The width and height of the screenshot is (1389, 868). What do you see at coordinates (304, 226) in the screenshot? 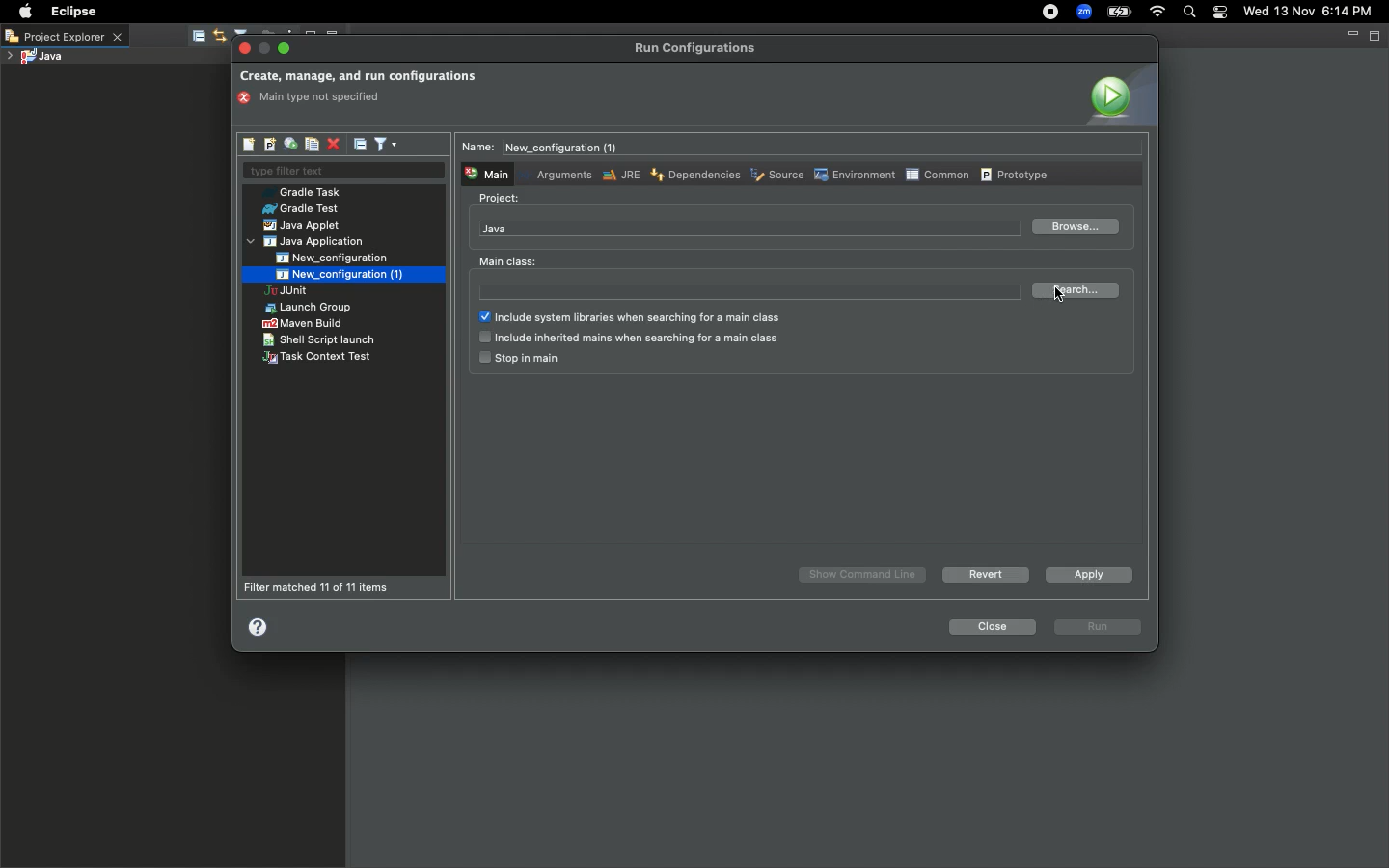
I see `Java applet` at bounding box center [304, 226].